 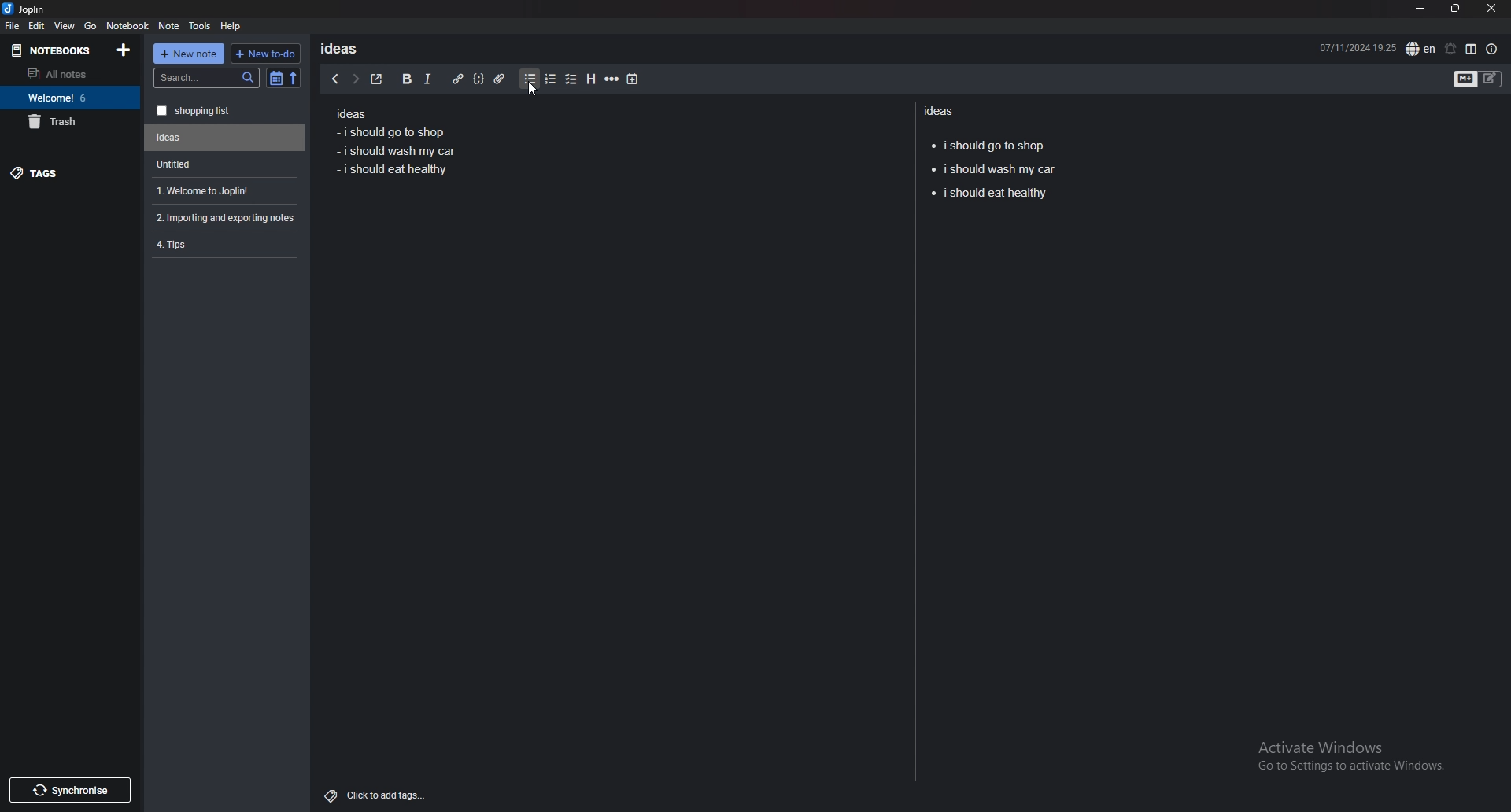 I want to click on Untitled, so click(x=221, y=164).